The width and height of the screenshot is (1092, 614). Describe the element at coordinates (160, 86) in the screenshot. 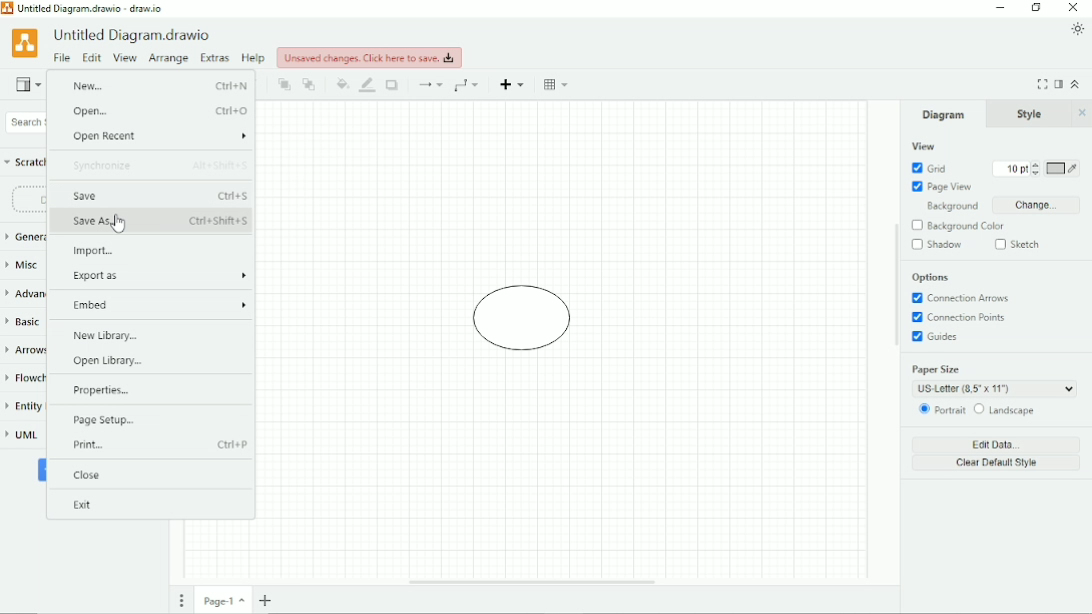

I see `New` at that location.